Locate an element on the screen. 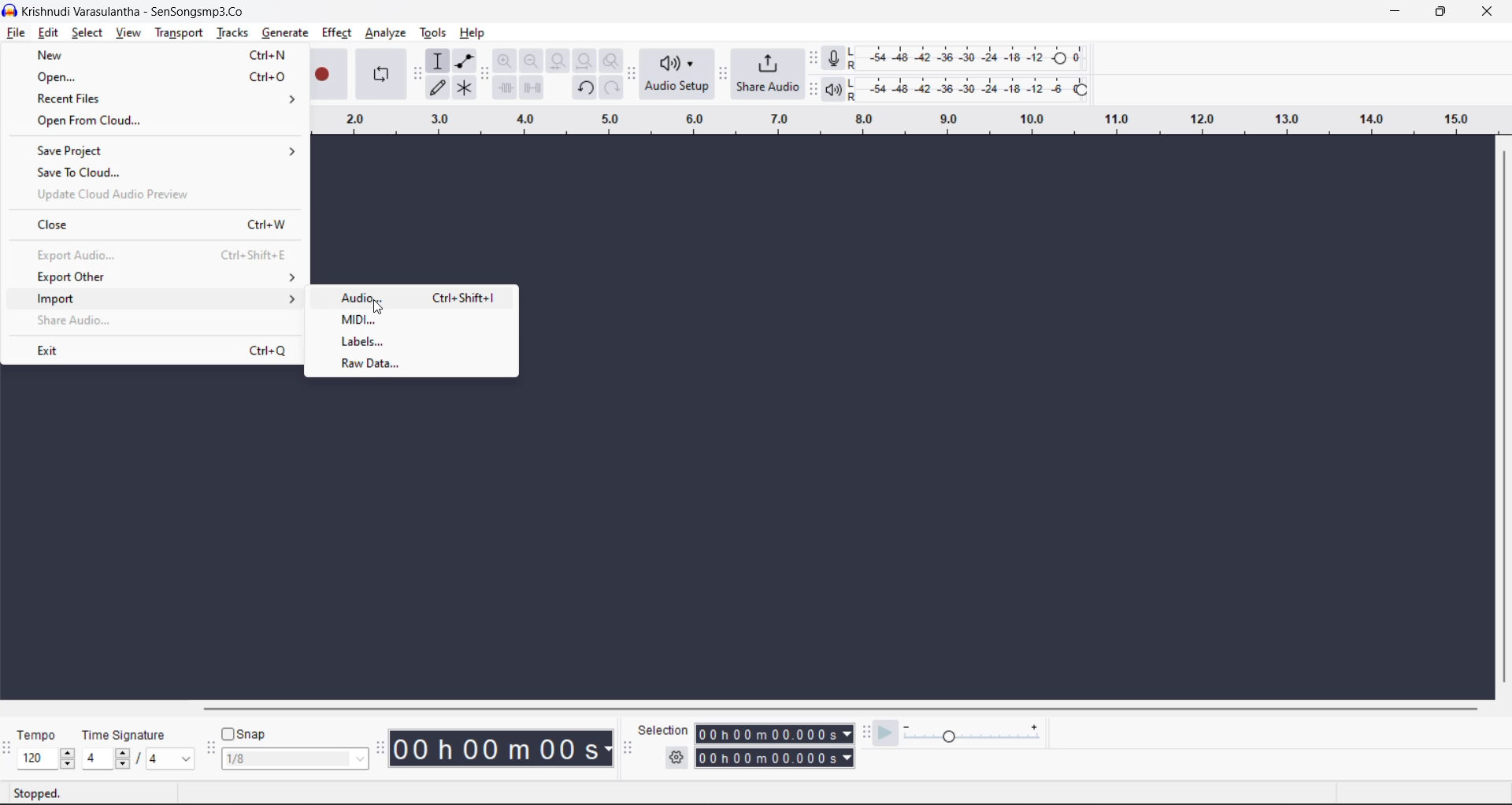 This screenshot has width=1512, height=805. redo is located at coordinates (611, 87).